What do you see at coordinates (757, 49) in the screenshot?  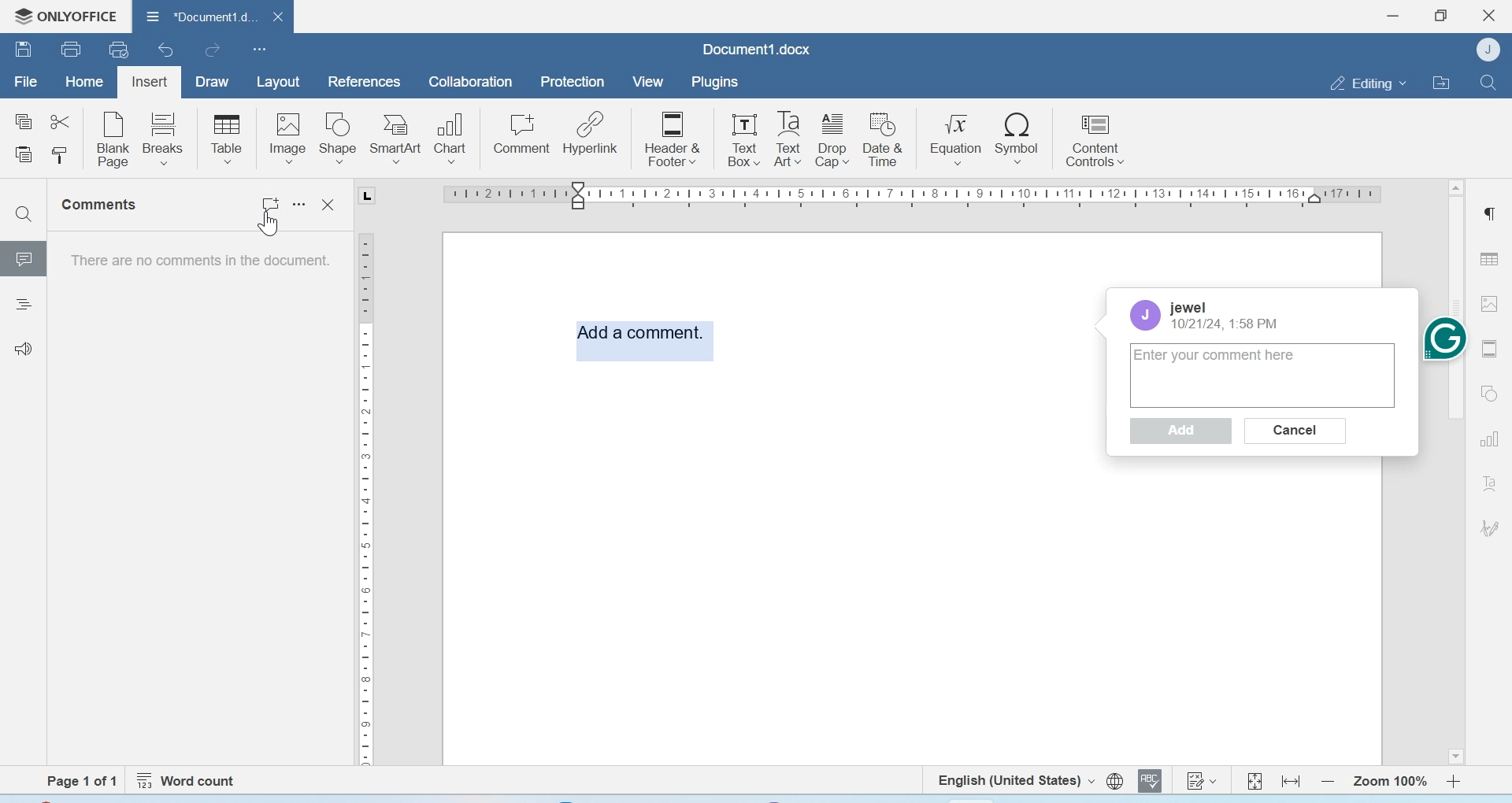 I see `Document1.docx` at bounding box center [757, 49].